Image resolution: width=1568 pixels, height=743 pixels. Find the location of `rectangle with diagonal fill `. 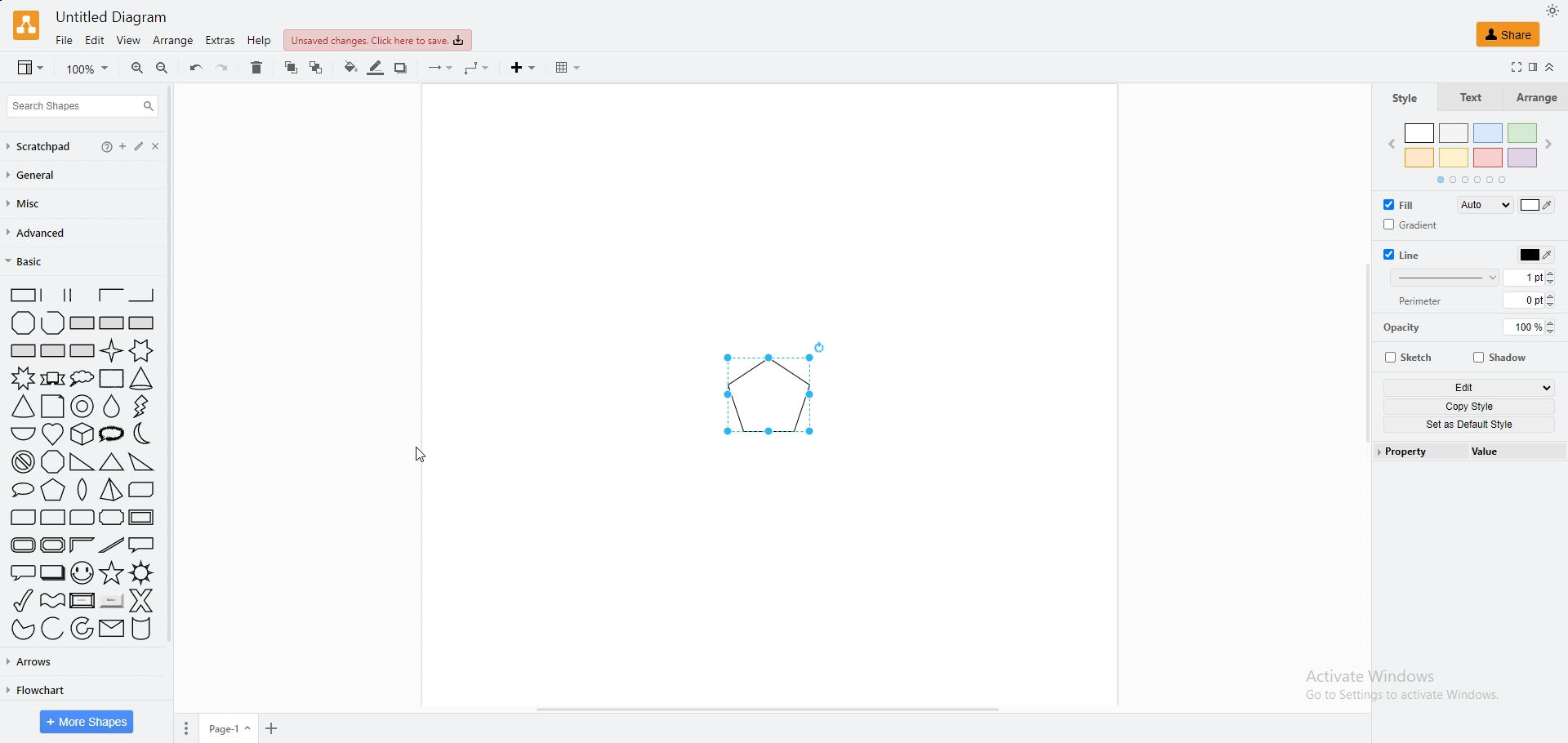

rectangle with diagonal fill  is located at coordinates (82, 323).